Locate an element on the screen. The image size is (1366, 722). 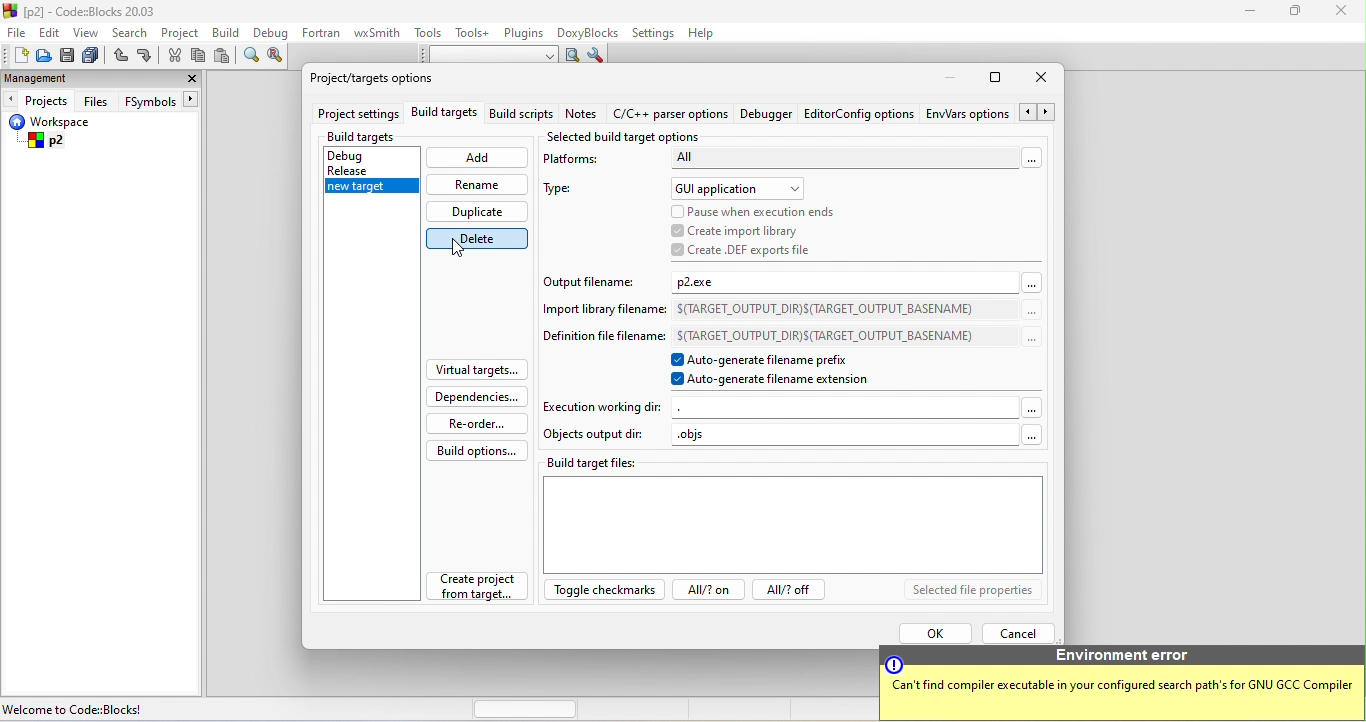
pause when execution ends is located at coordinates (763, 210).